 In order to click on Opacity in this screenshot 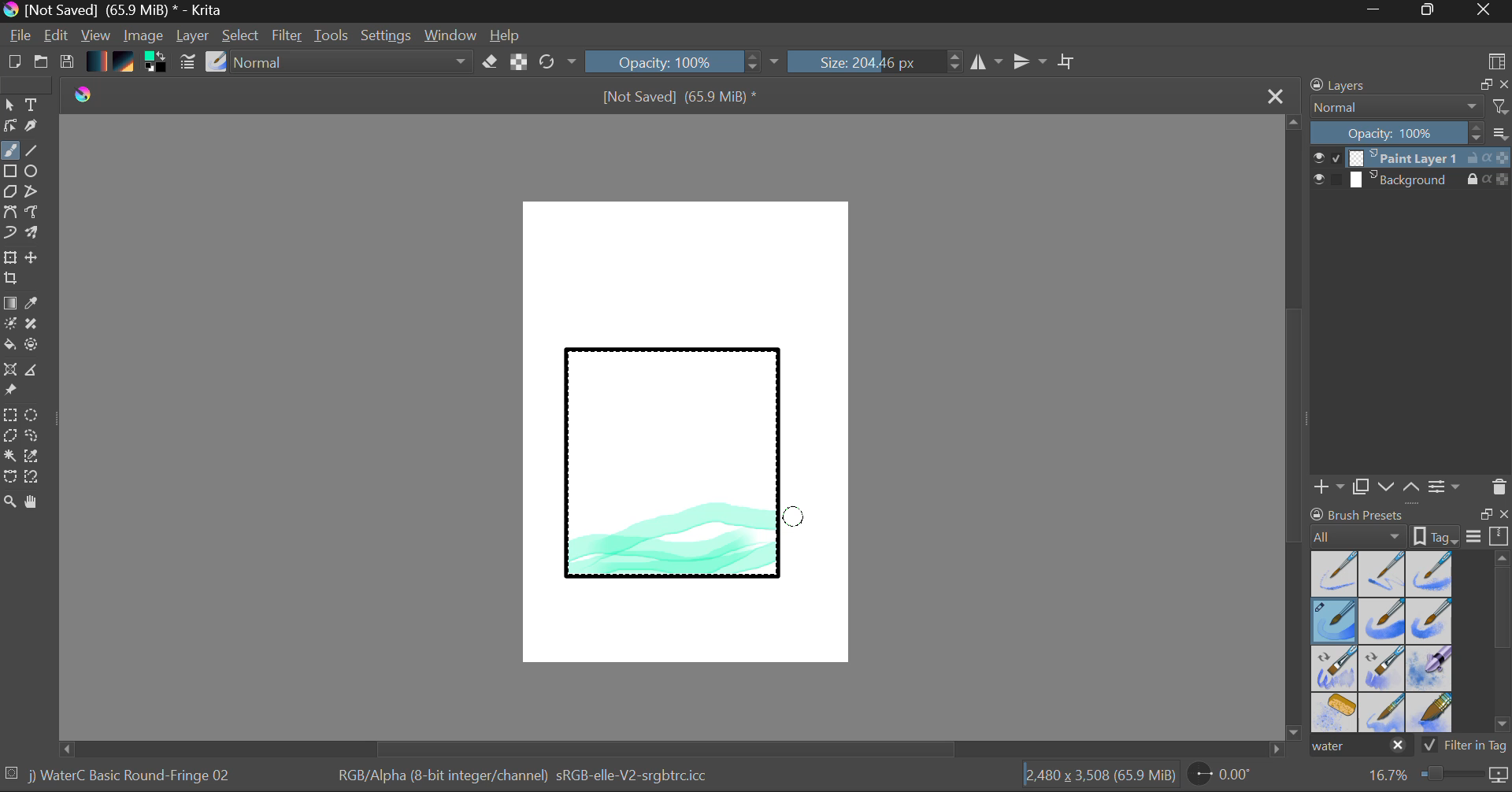, I will do `click(684, 61)`.